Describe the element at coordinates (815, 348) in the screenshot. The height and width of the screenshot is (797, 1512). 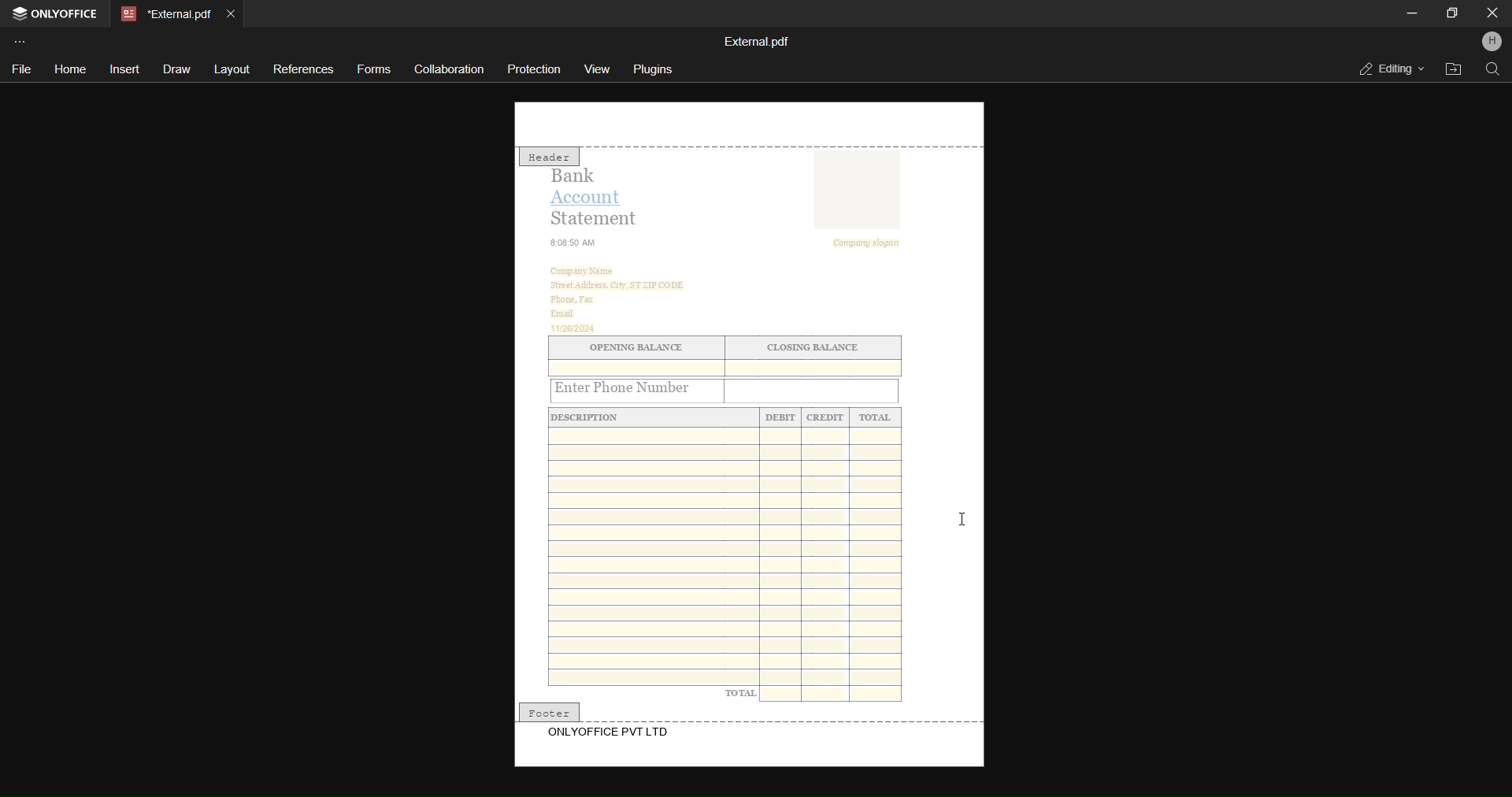
I see `CLOSING BALANCE` at that location.